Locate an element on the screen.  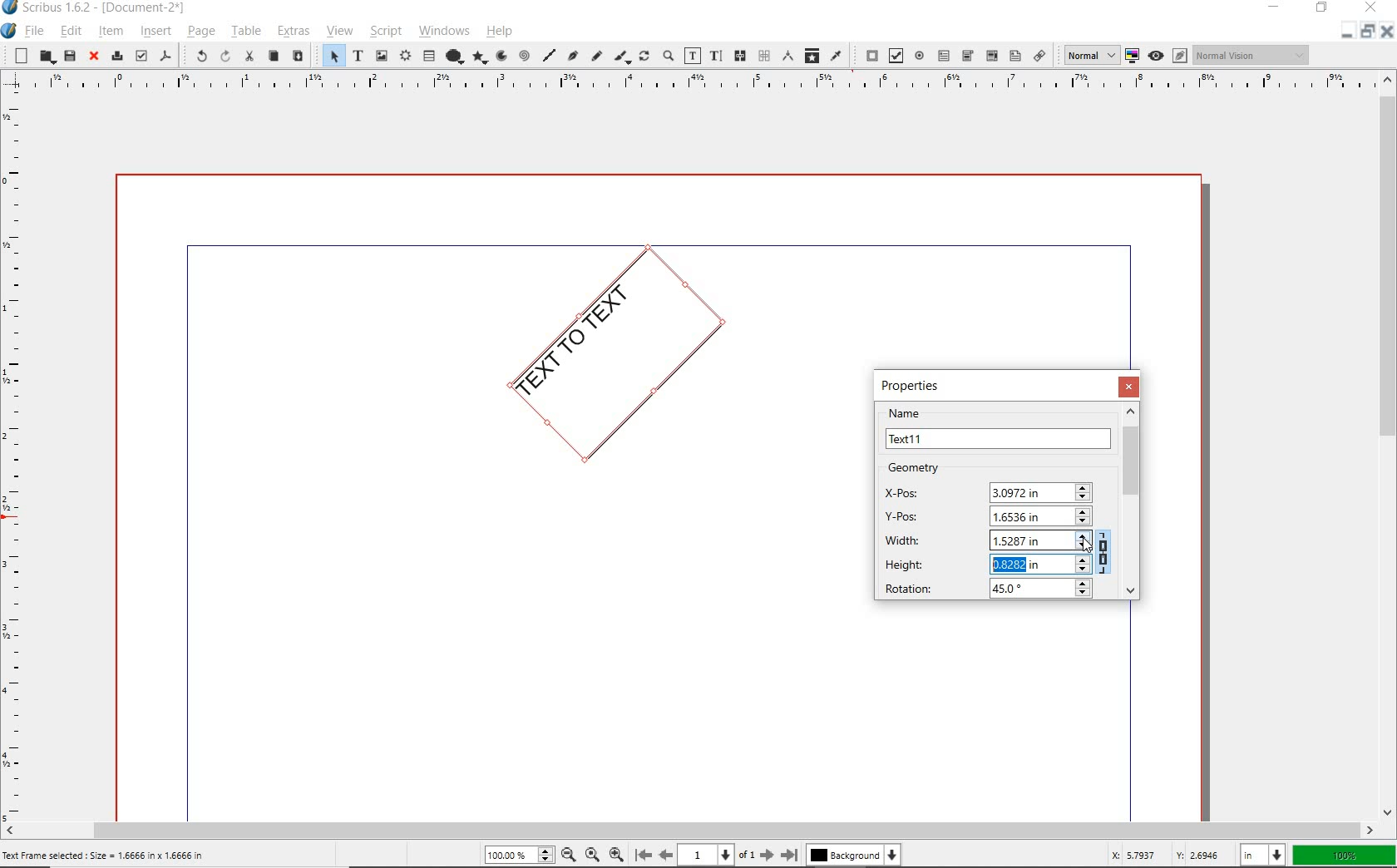
select unit is located at coordinates (1260, 856).